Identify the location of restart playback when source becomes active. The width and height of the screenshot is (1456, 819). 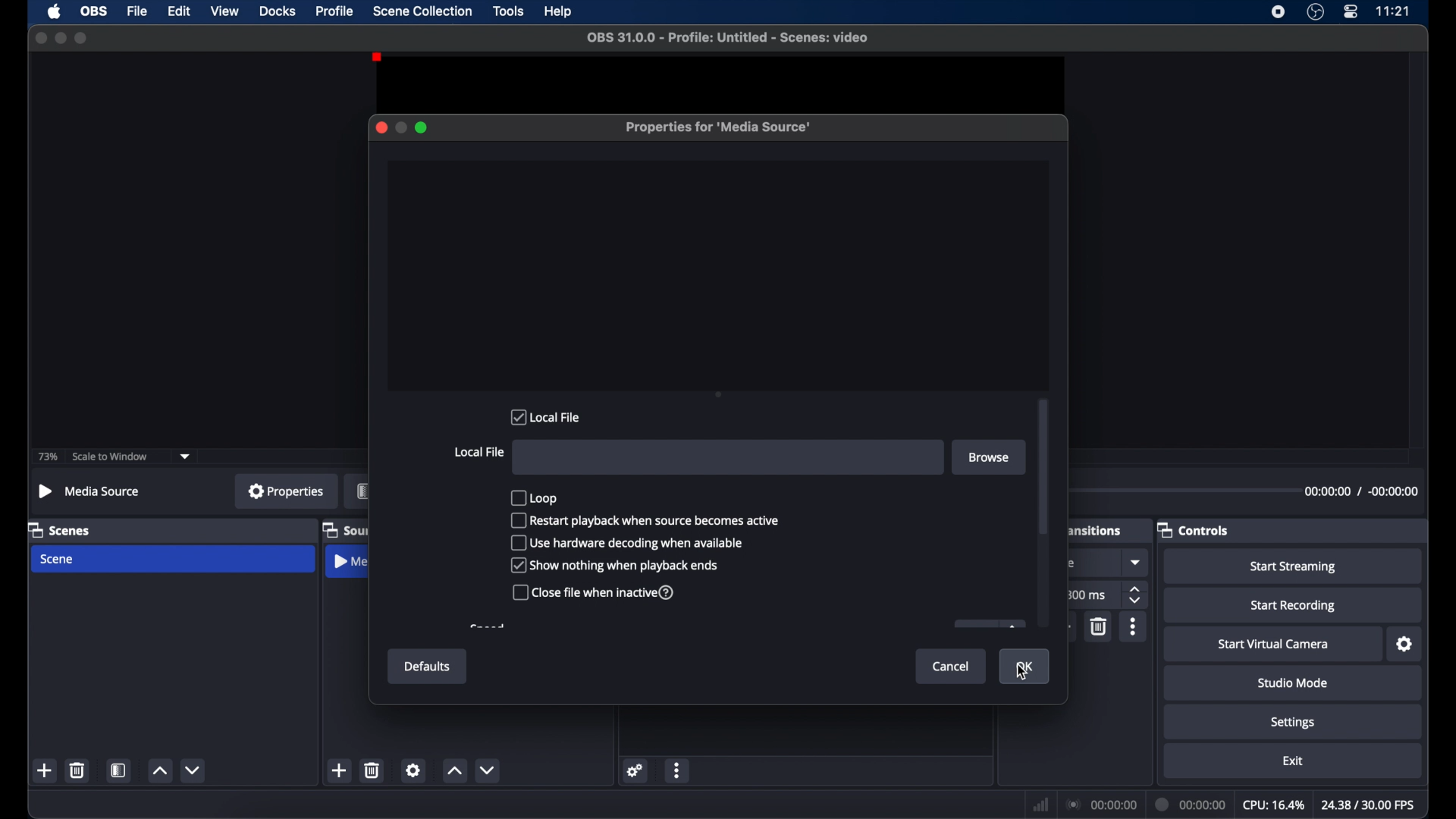
(643, 520).